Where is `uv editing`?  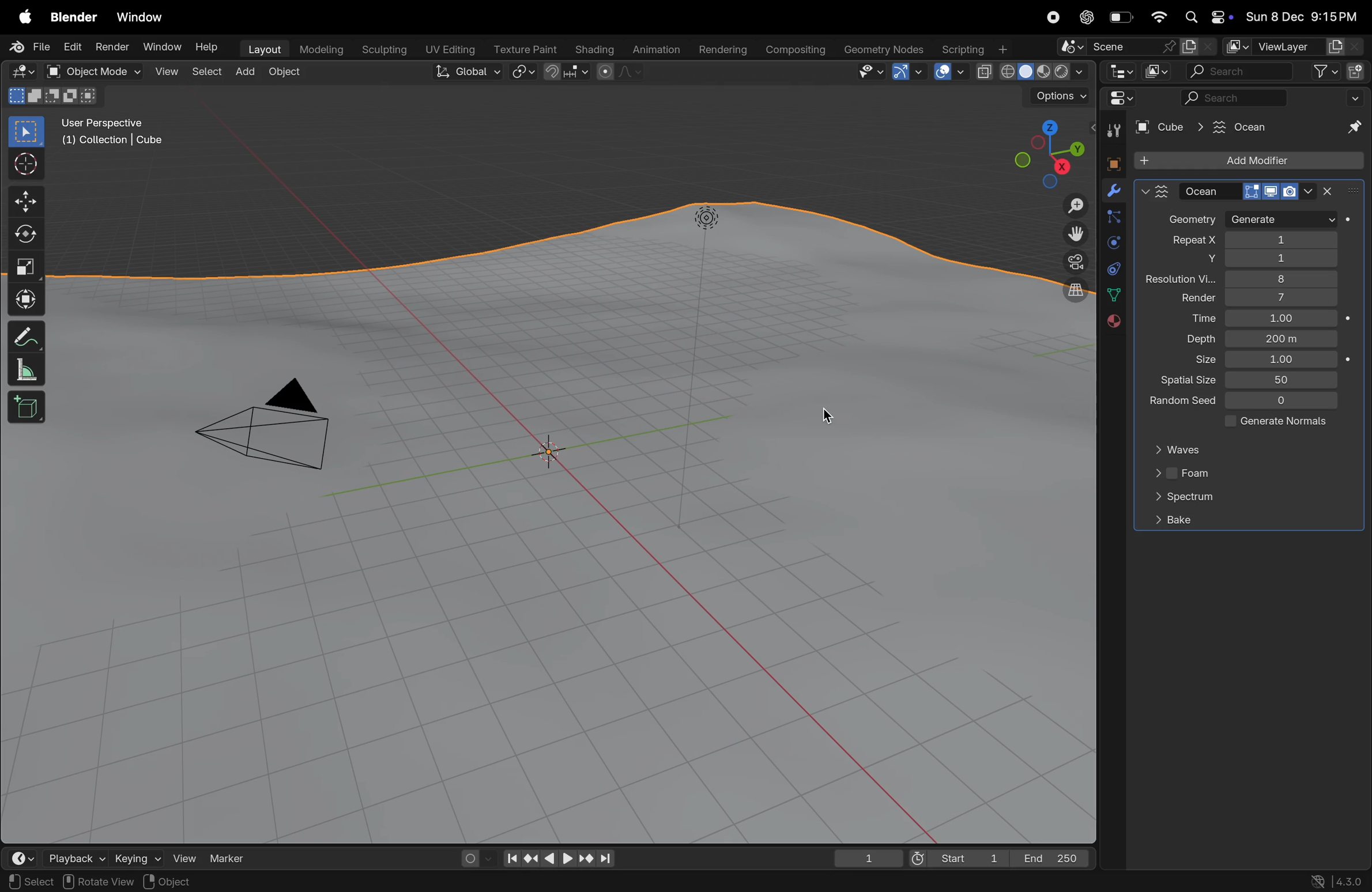
uv editing is located at coordinates (452, 48).